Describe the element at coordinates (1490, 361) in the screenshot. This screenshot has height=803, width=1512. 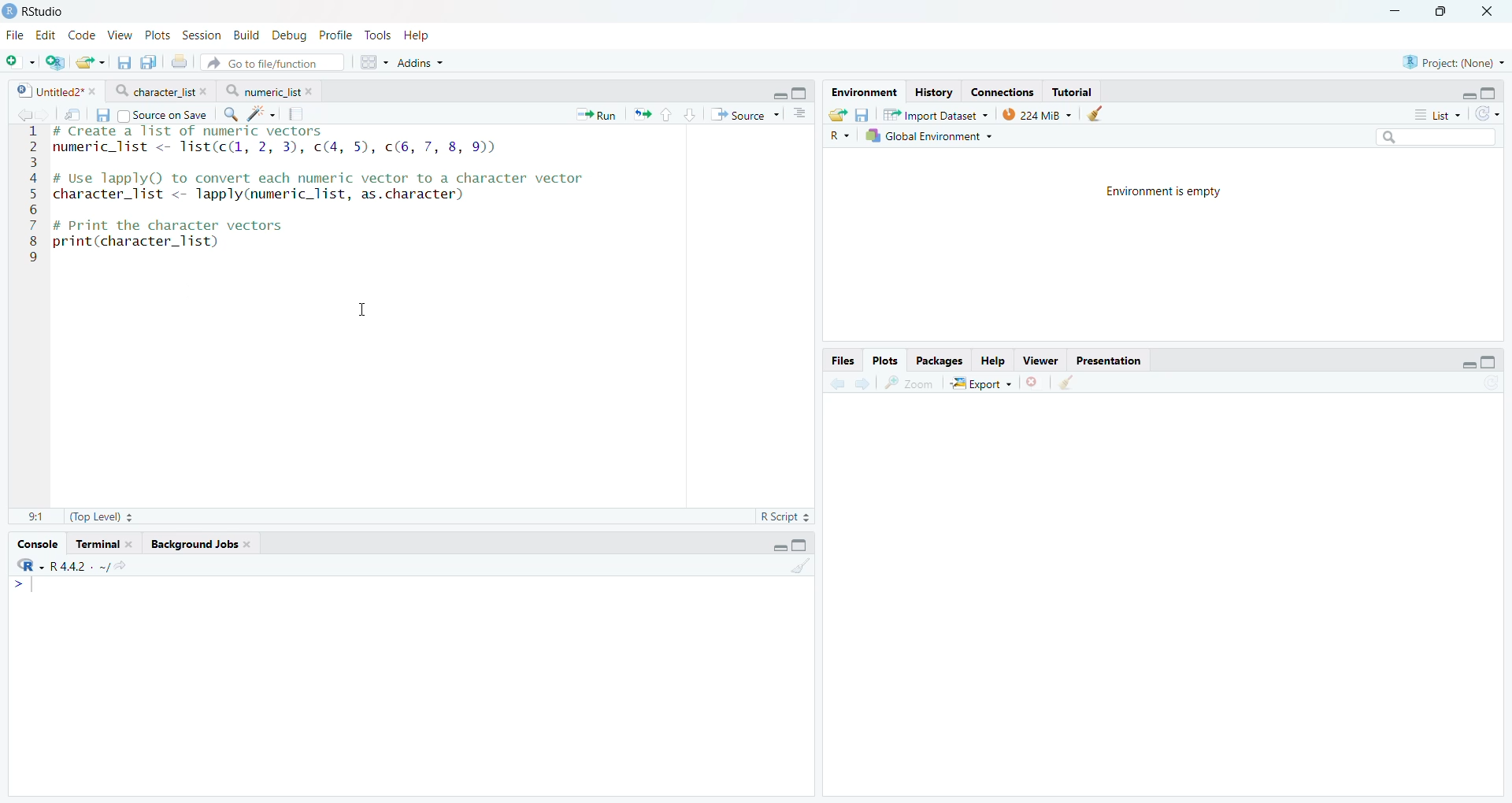
I see `Full Height` at that location.